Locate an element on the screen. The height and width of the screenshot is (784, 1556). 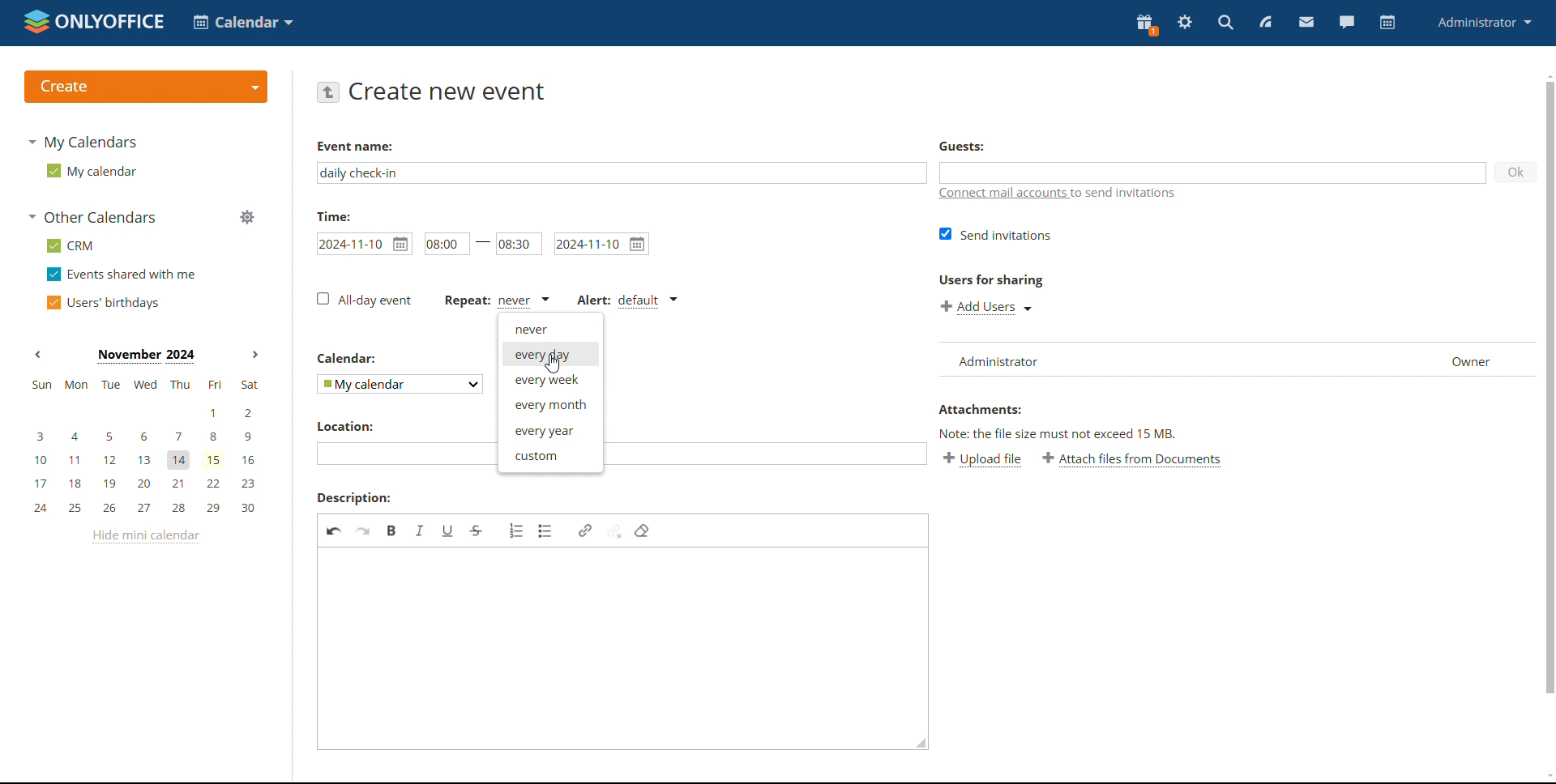
other calendars is located at coordinates (91, 219).